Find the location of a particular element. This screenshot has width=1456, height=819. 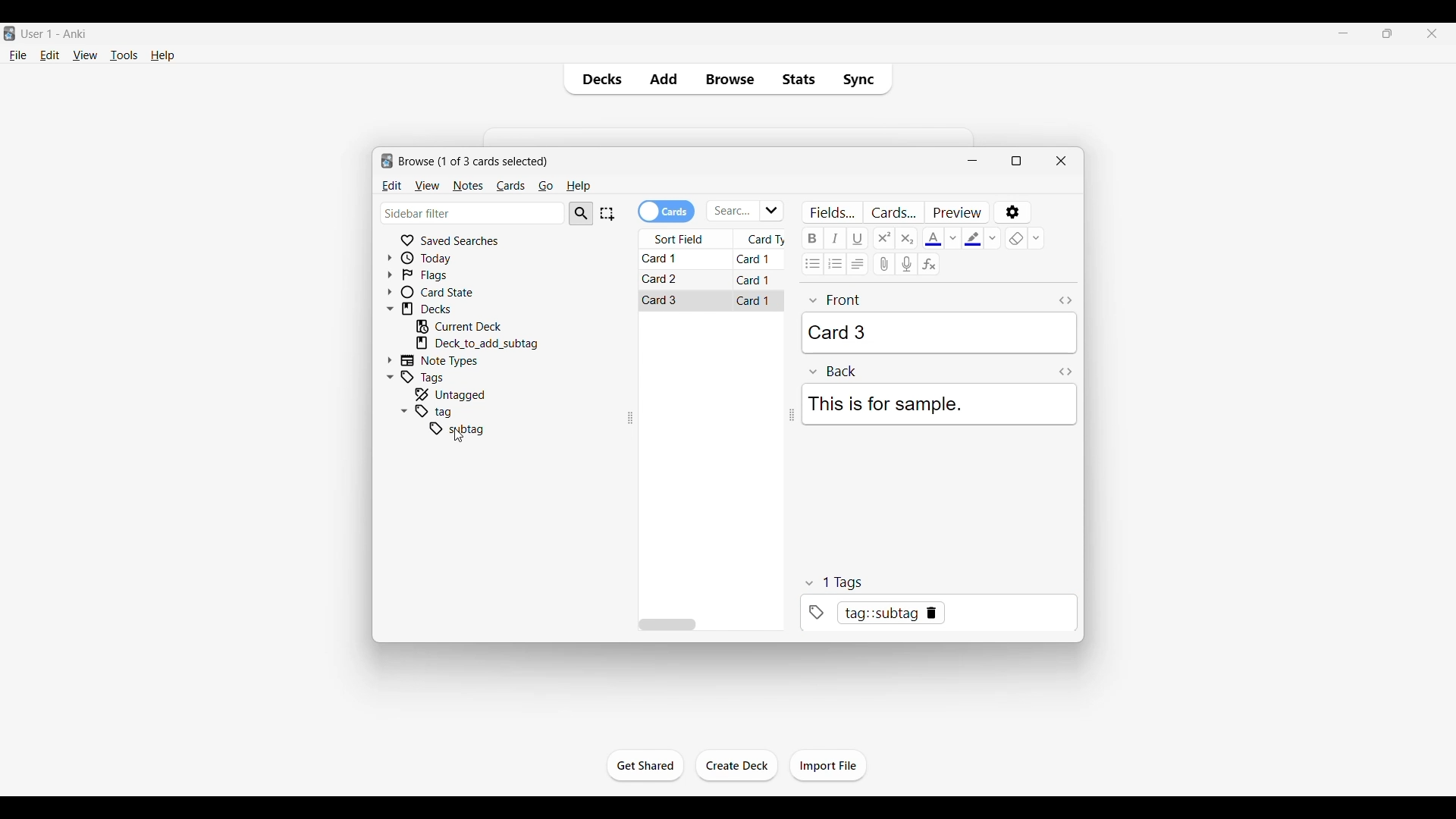

Toggle HTML editor is located at coordinates (1065, 301).